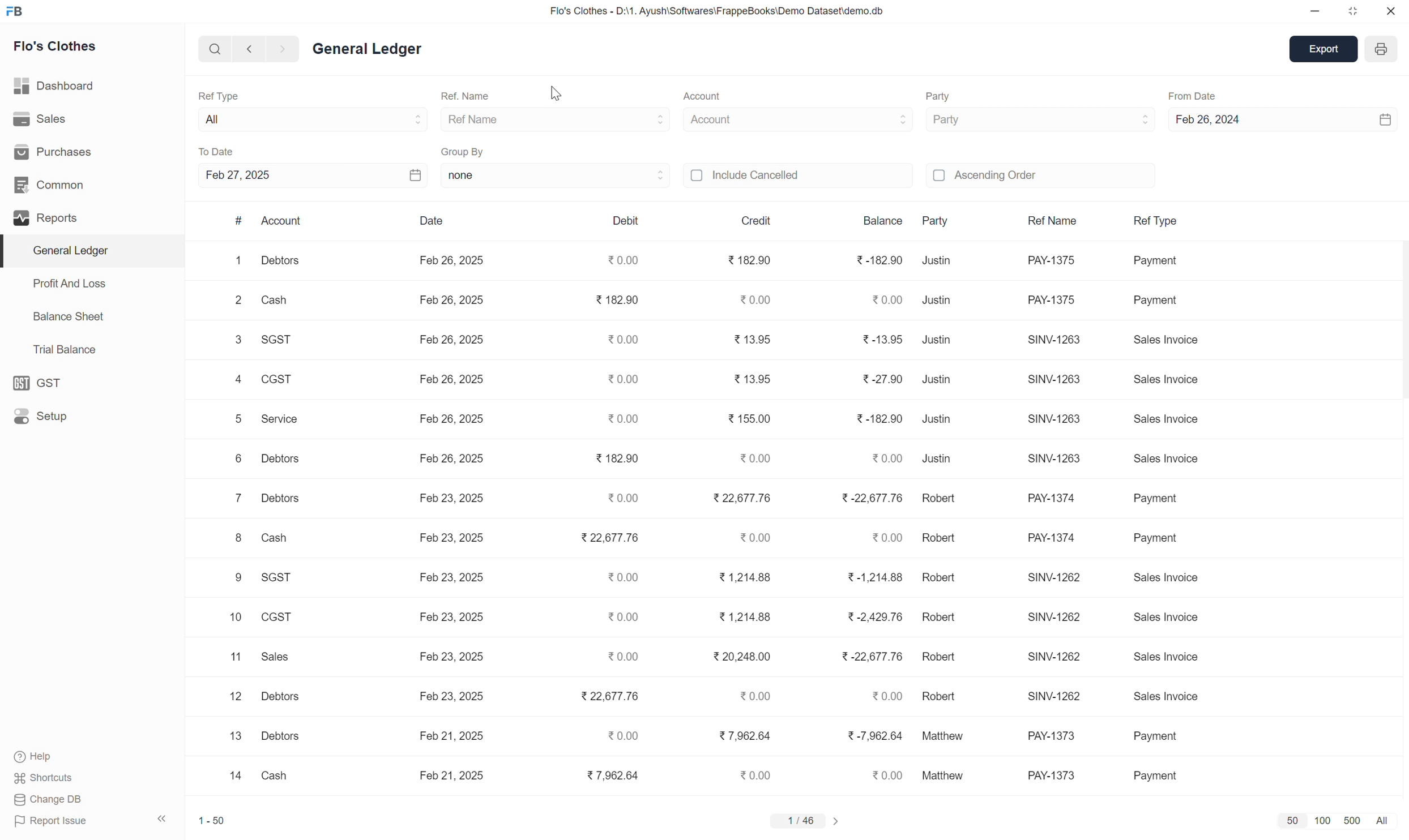 The width and height of the screenshot is (1409, 840). I want to click on 10, so click(237, 617).